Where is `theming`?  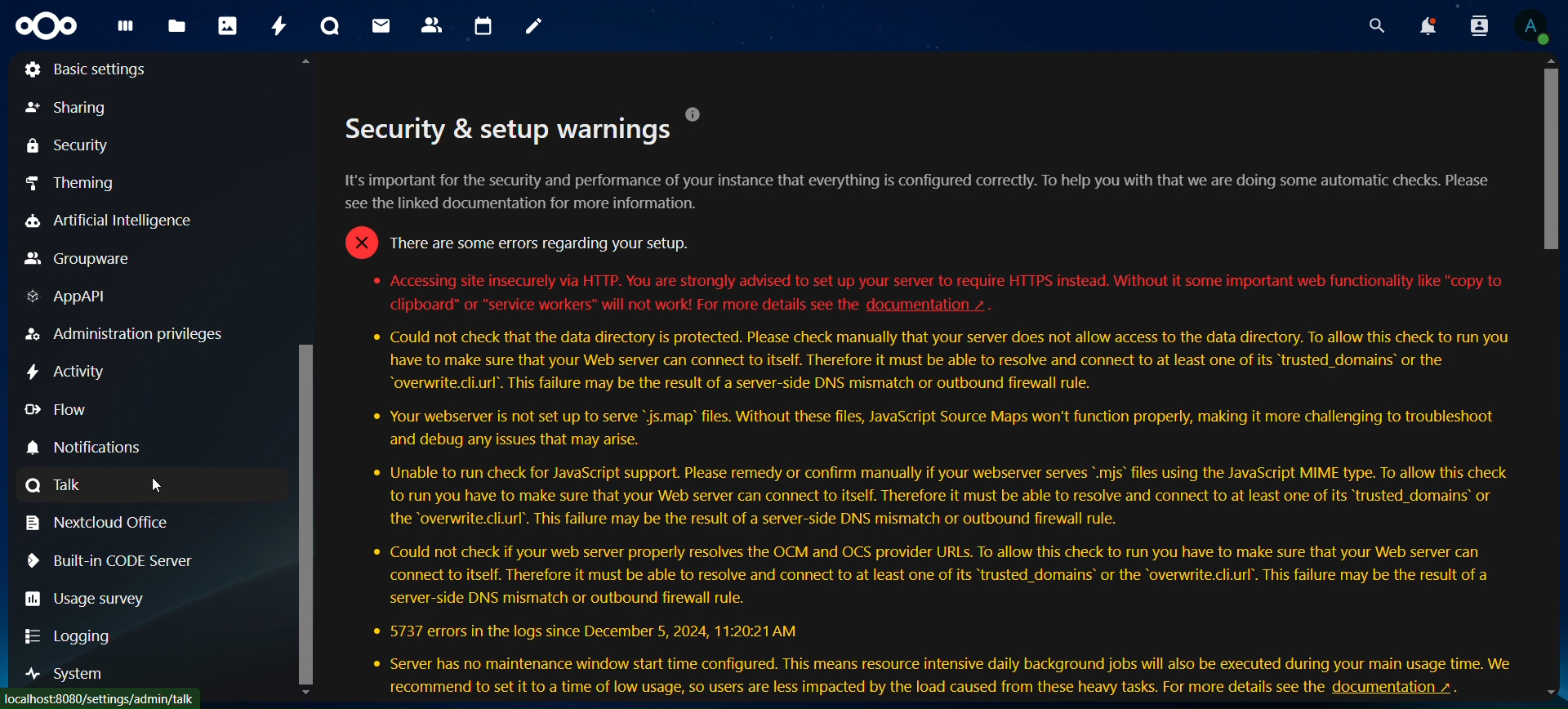
theming is located at coordinates (76, 185).